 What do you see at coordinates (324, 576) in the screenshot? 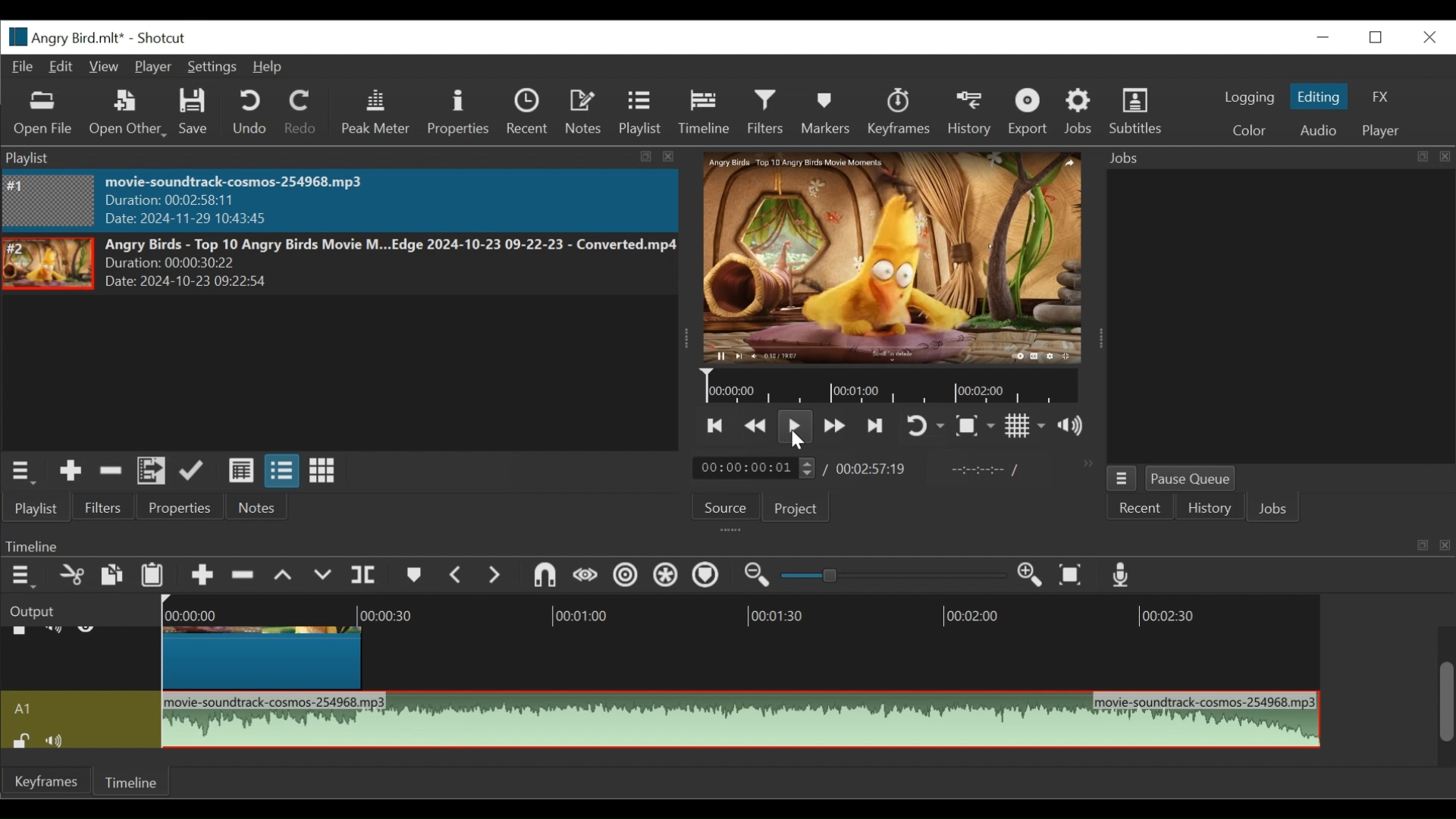
I see `Overwrite` at bounding box center [324, 576].